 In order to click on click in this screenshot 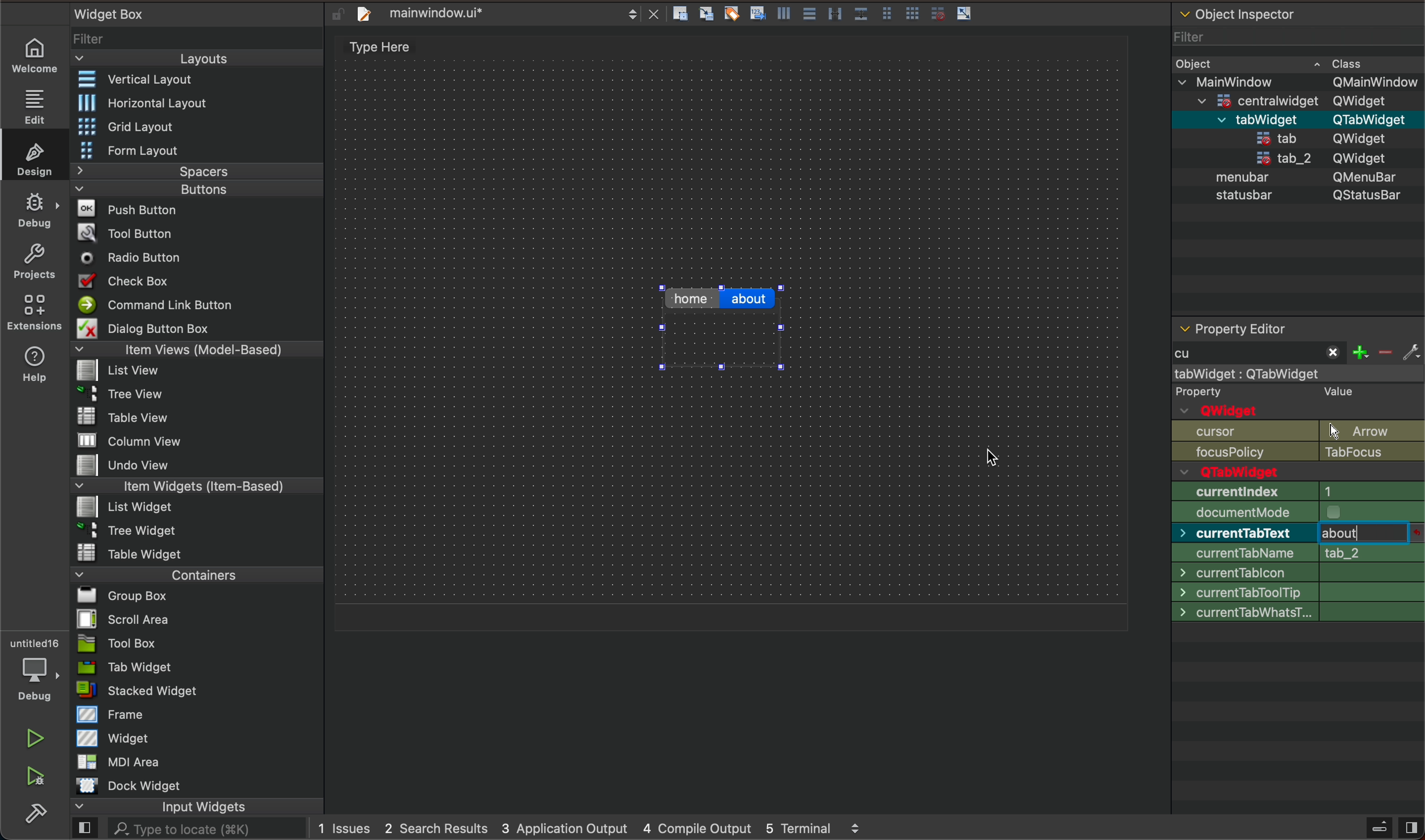, I will do `click(750, 300)`.